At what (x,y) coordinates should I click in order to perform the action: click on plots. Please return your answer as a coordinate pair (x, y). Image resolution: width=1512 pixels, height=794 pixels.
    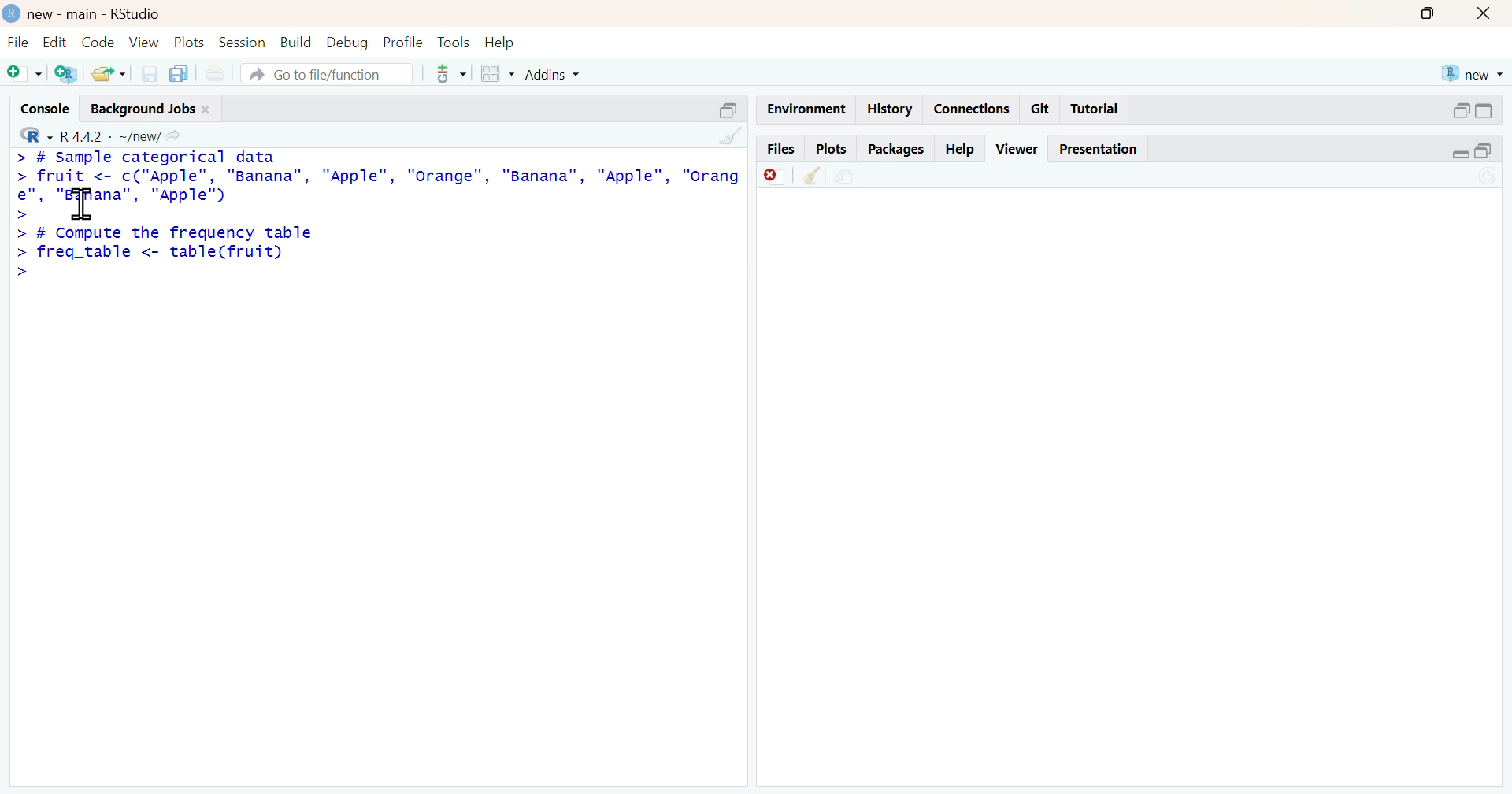
    Looking at the image, I should click on (836, 149).